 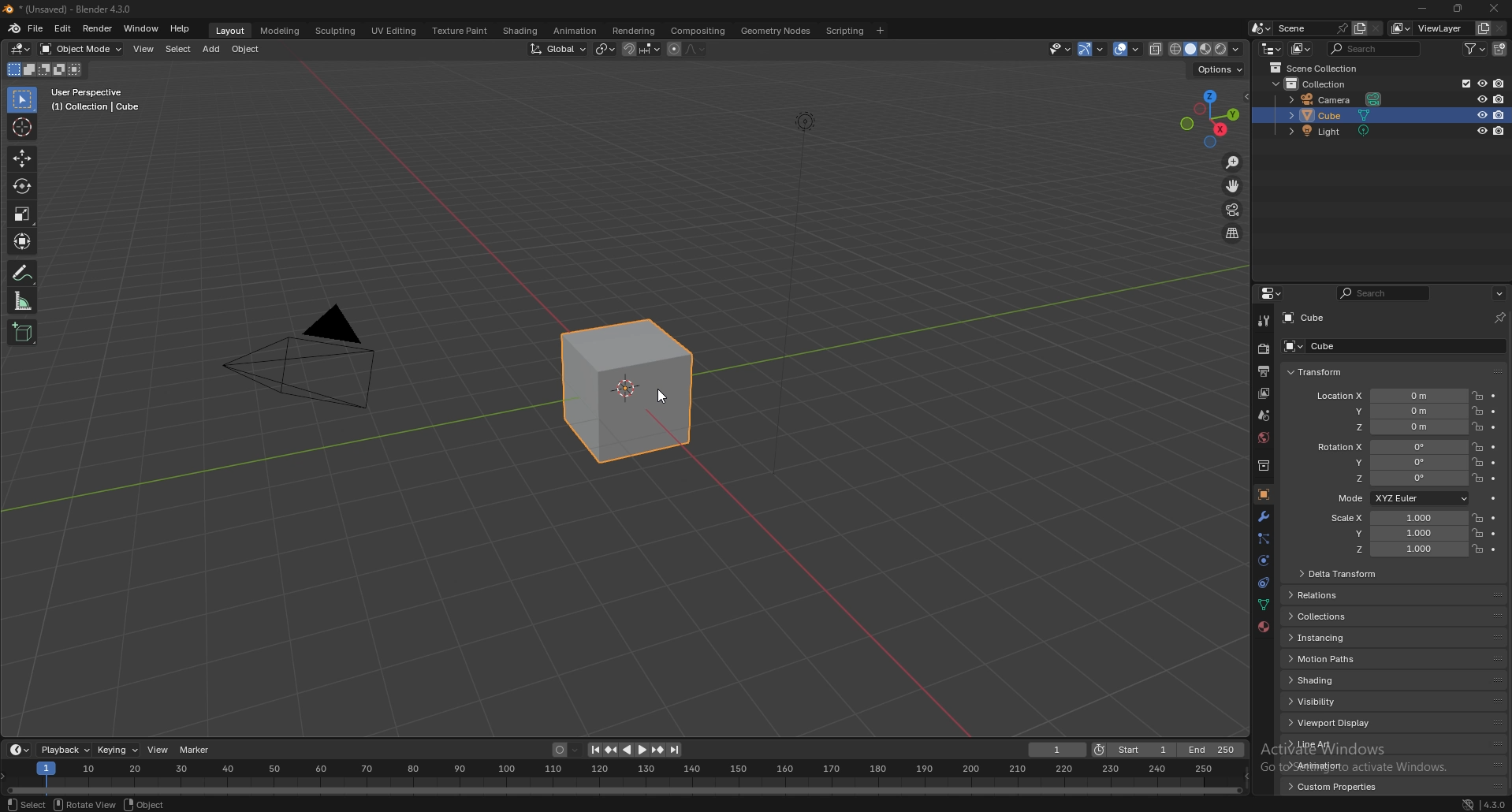 I want to click on animation, so click(x=577, y=31).